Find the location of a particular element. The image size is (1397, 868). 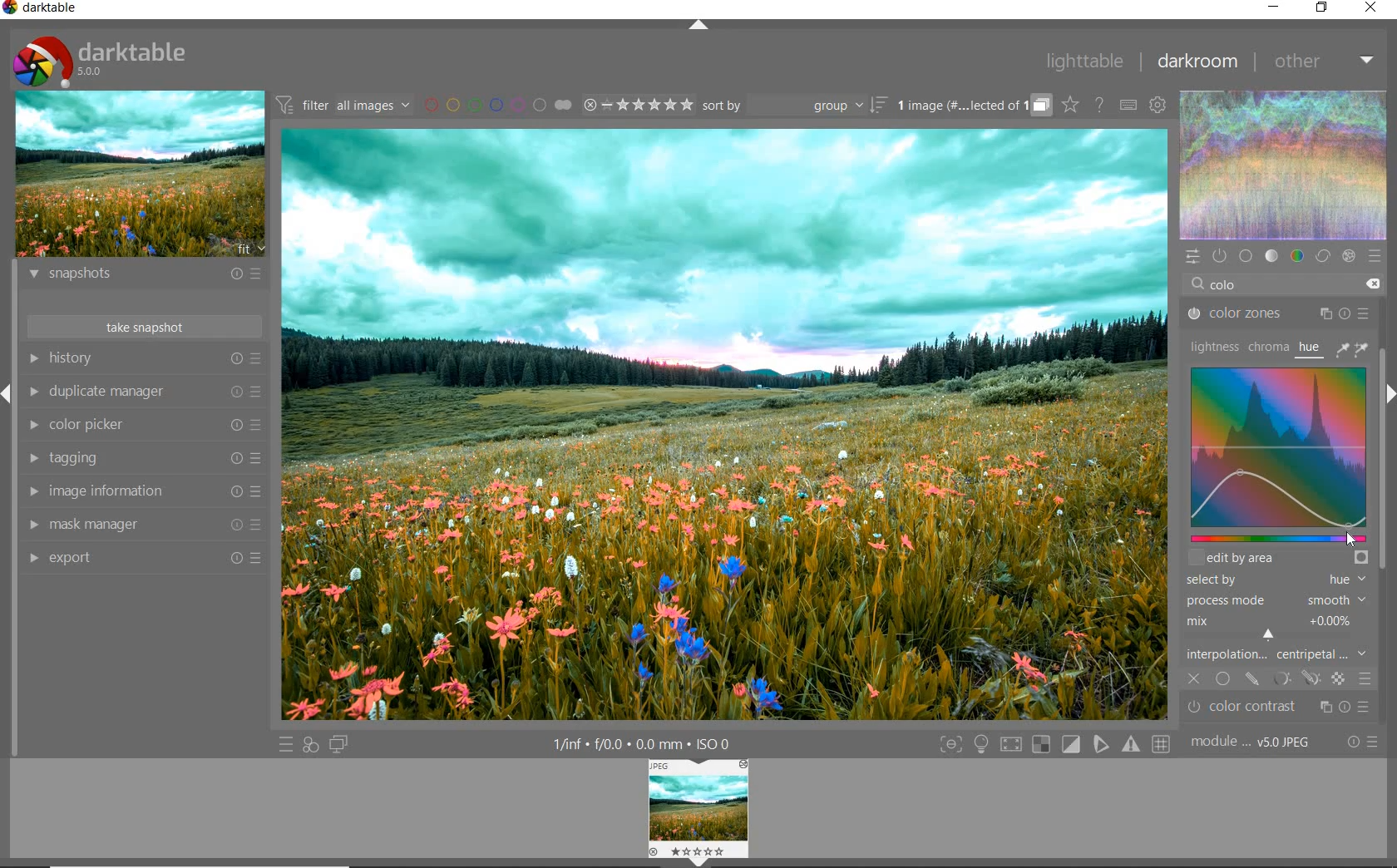

module..v50JPEG is located at coordinates (1255, 742).